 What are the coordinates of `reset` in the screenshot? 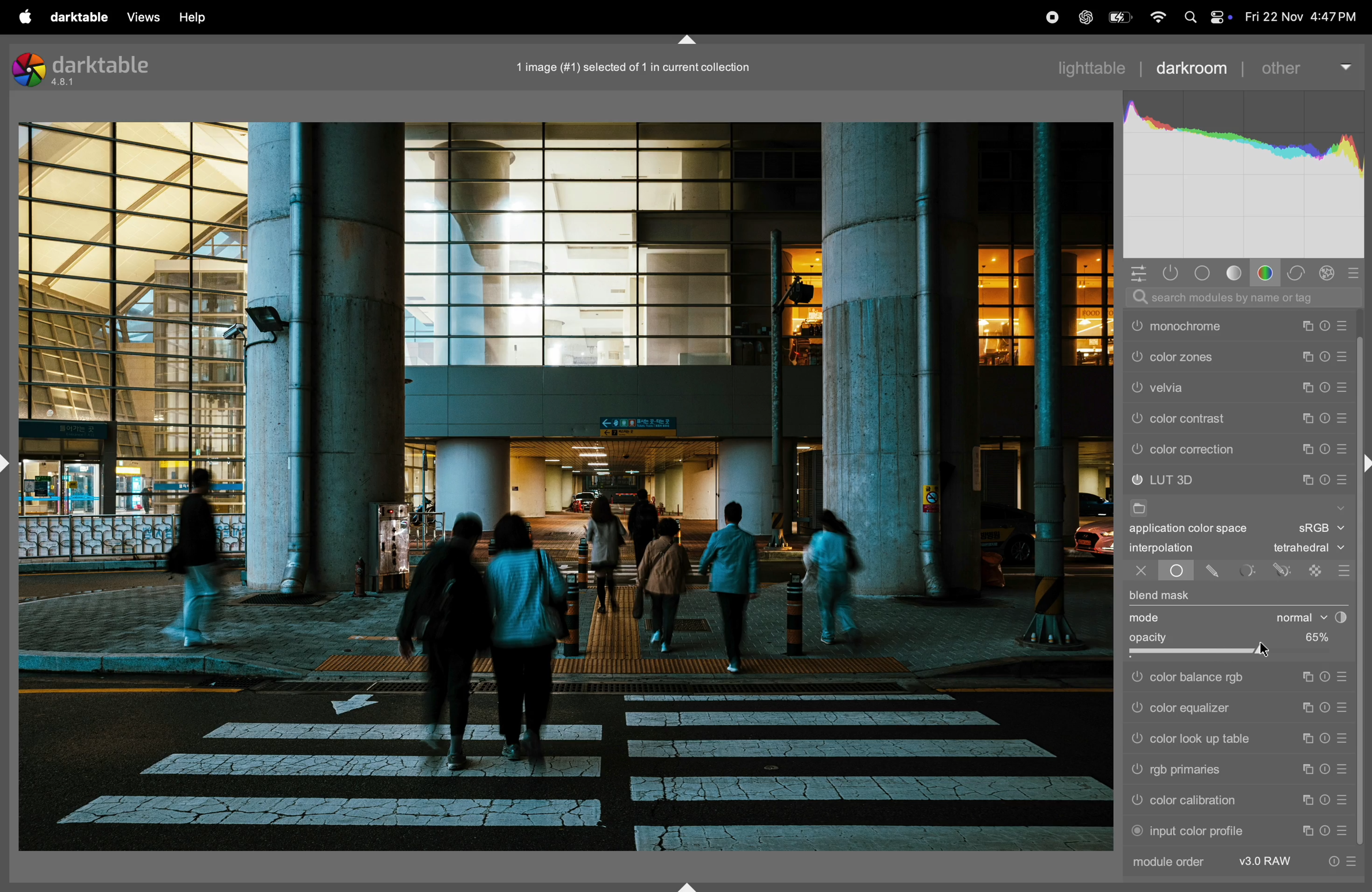 It's located at (1328, 678).